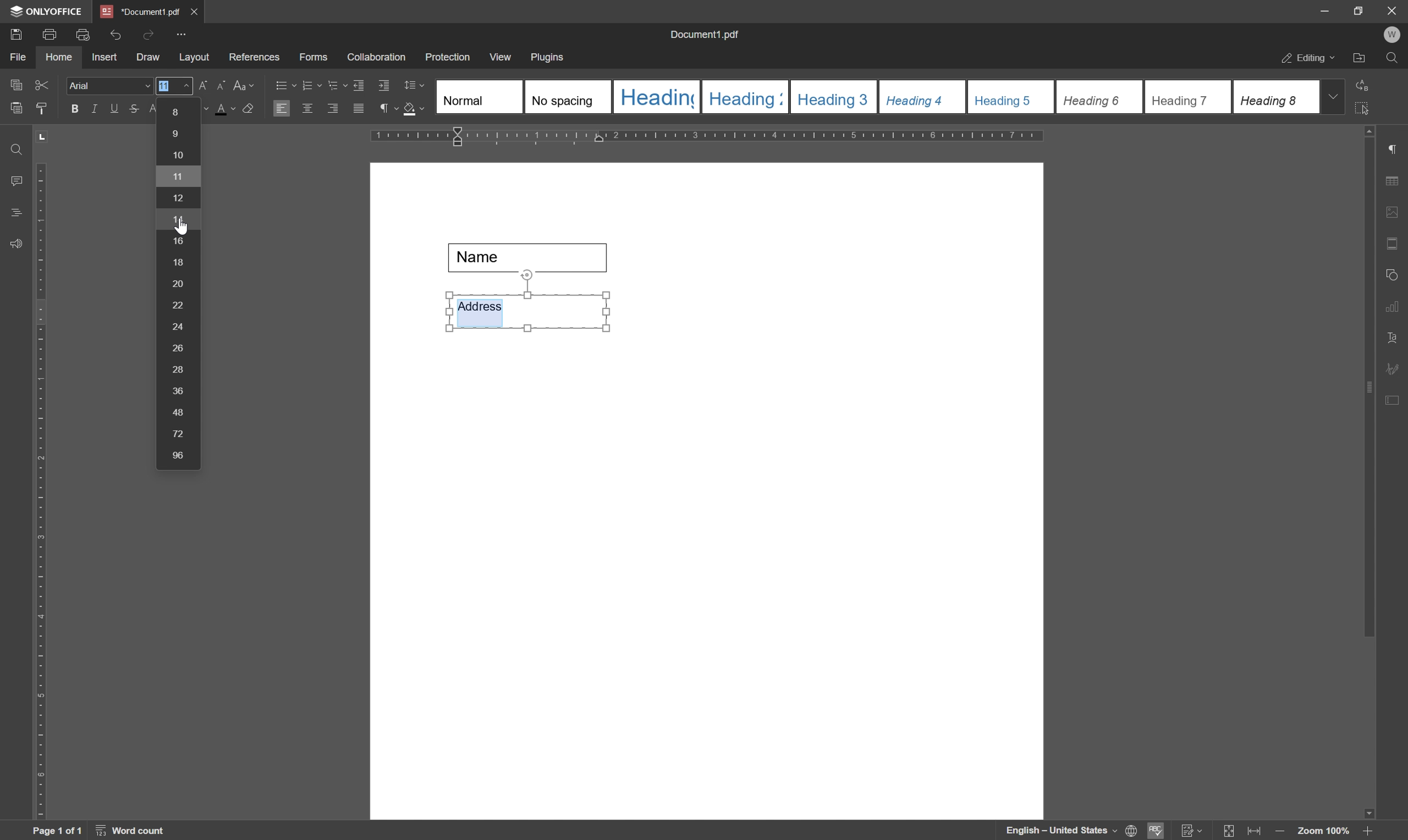  Describe the element at coordinates (1396, 182) in the screenshot. I see `table settings` at that location.